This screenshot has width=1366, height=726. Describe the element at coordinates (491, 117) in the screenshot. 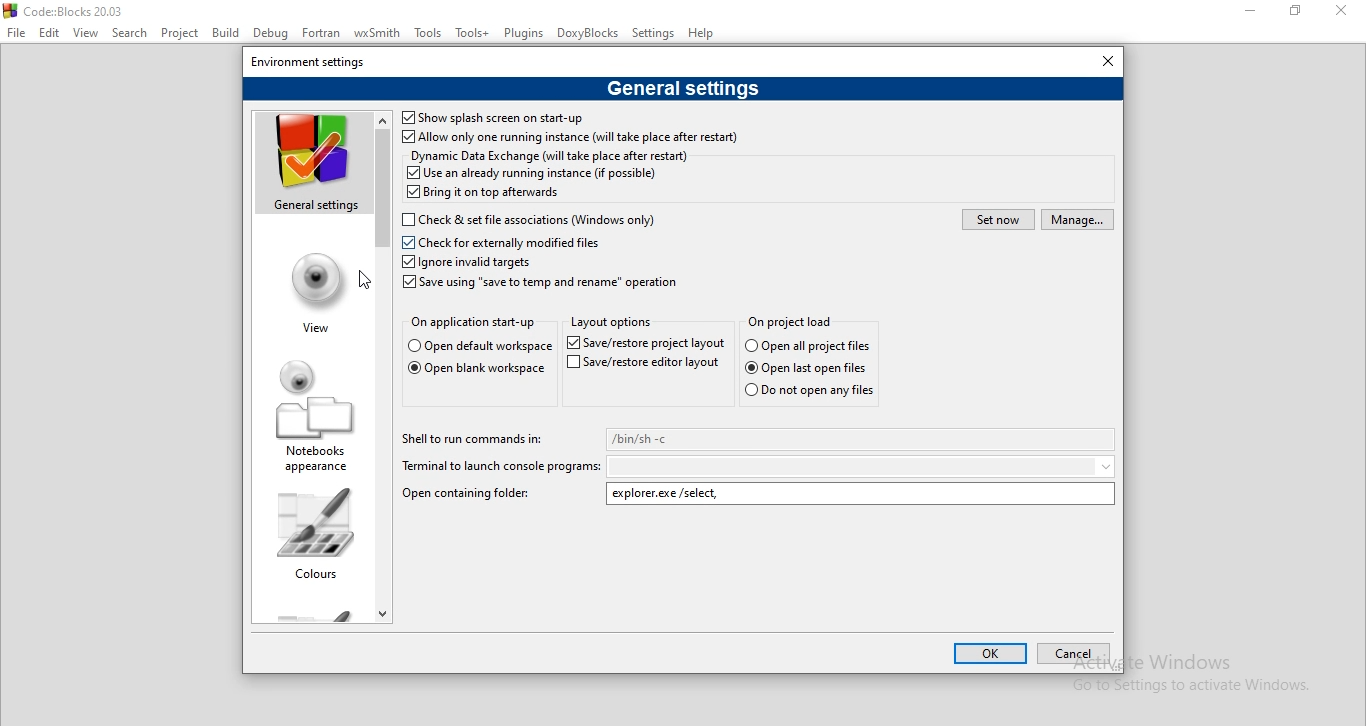

I see `Shos splash screen on start-up` at that location.